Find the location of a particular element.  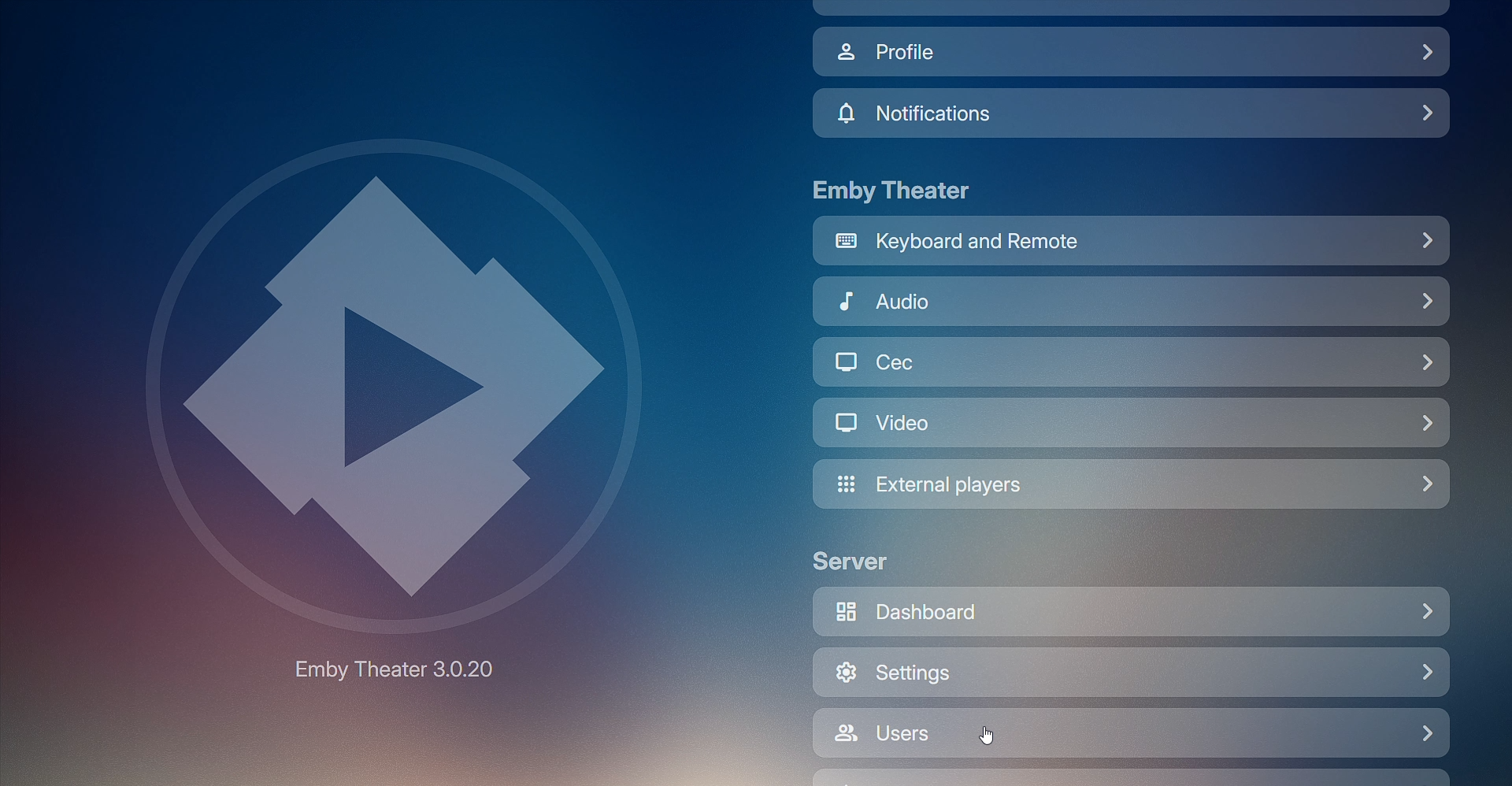

Emby Logo is located at coordinates (402, 377).